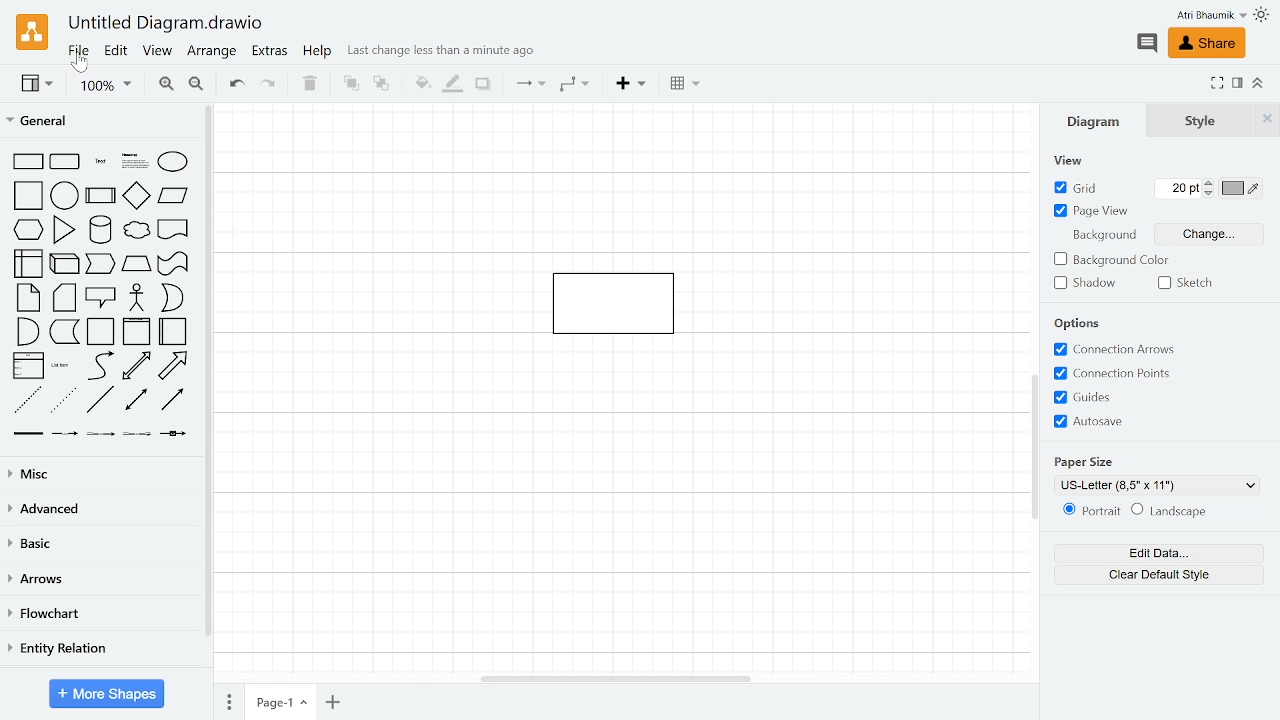 The width and height of the screenshot is (1280, 720). What do you see at coordinates (1084, 187) in the screenshot?
I see `Grid` at bounding box center [1084, 187].